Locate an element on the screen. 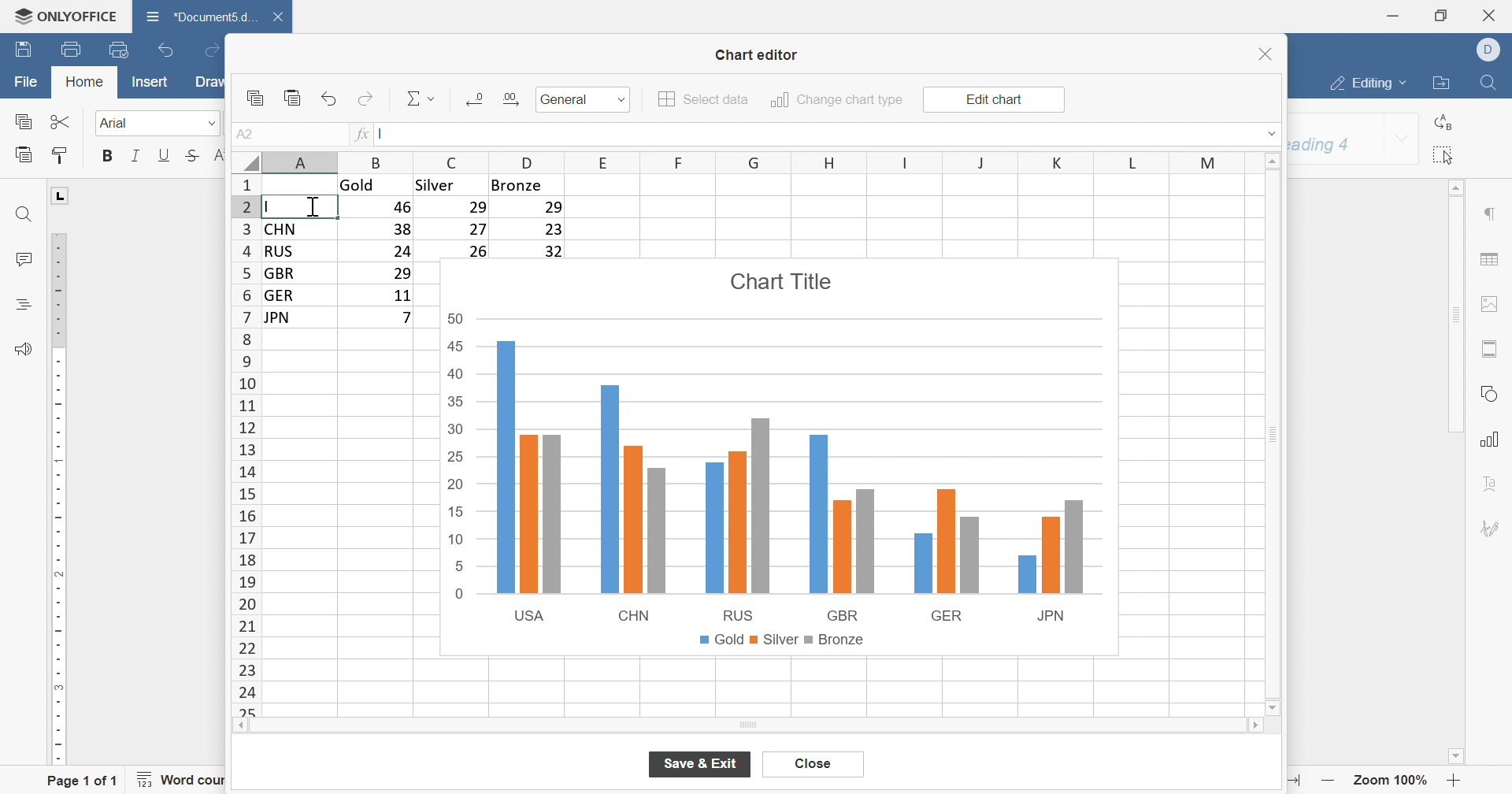 The image size is (1512, 794). insert is located at coordinates (150, 80).